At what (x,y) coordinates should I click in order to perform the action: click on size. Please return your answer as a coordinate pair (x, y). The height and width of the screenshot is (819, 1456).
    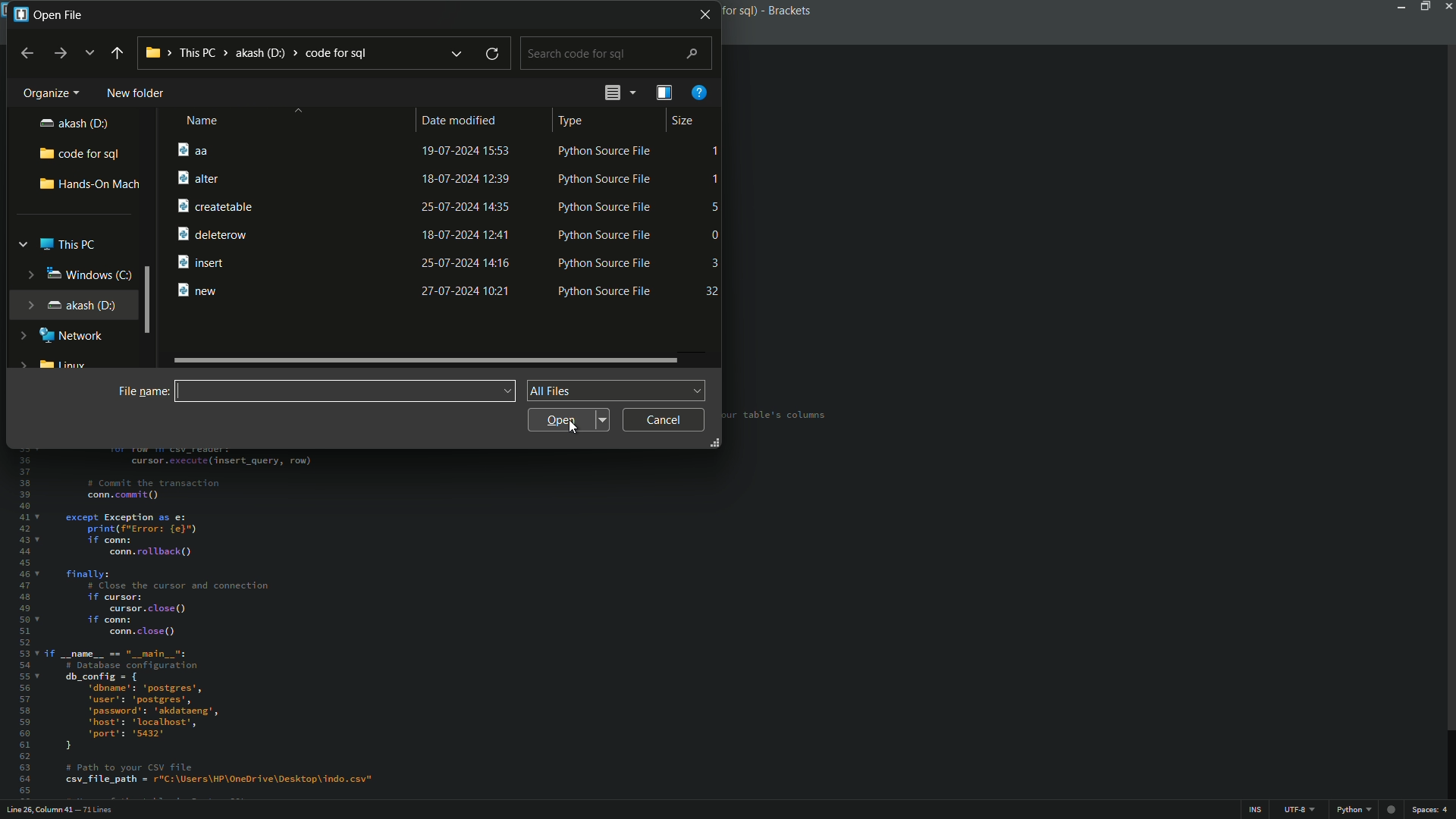
    Looking at the image, I should click on (682, 121).